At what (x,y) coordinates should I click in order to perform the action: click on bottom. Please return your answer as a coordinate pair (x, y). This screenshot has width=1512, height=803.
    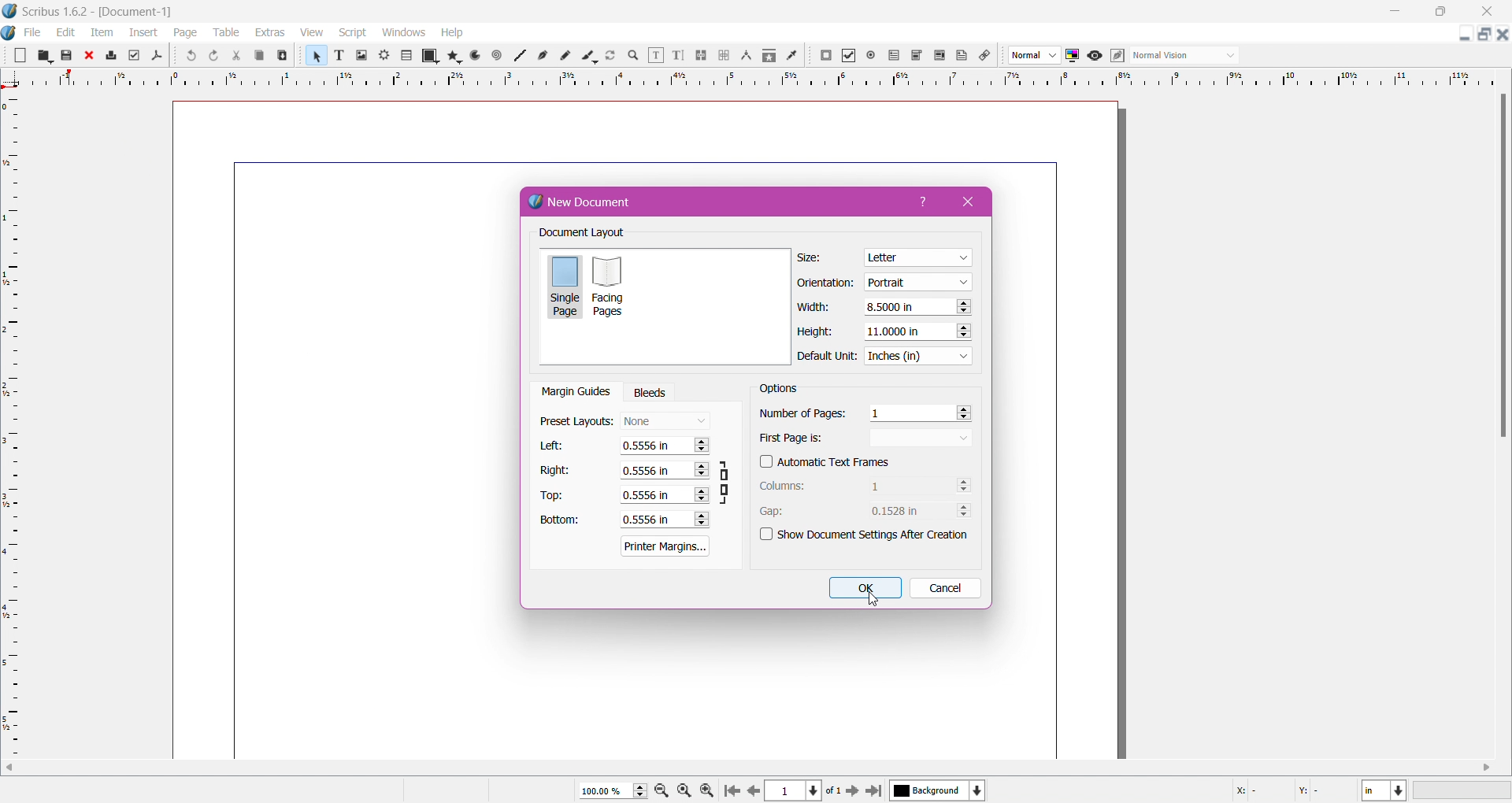
    Looking at the image, I should click on (562, 520).